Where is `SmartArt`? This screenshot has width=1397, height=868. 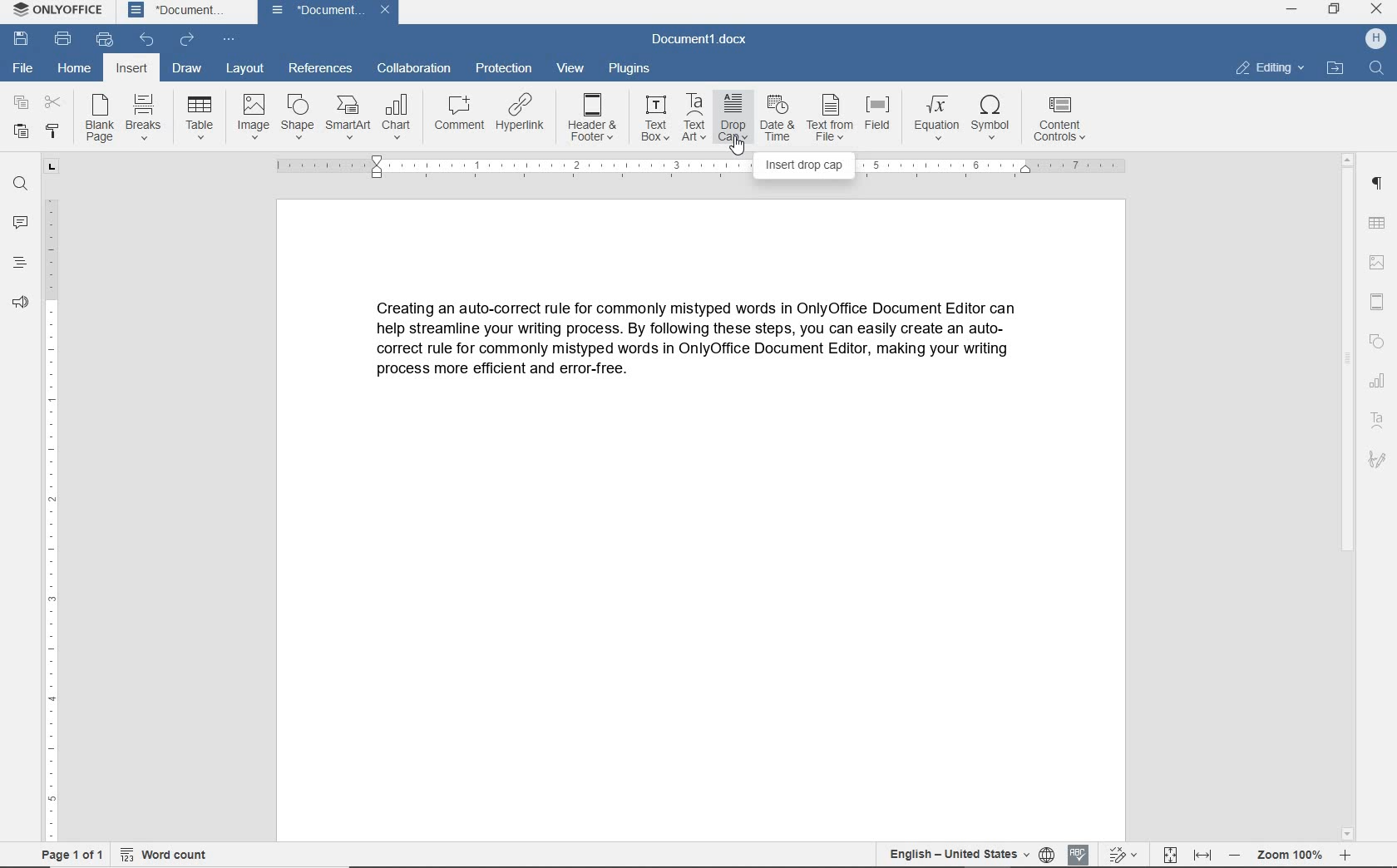 SmartArt is located at coordinates (348, 116).